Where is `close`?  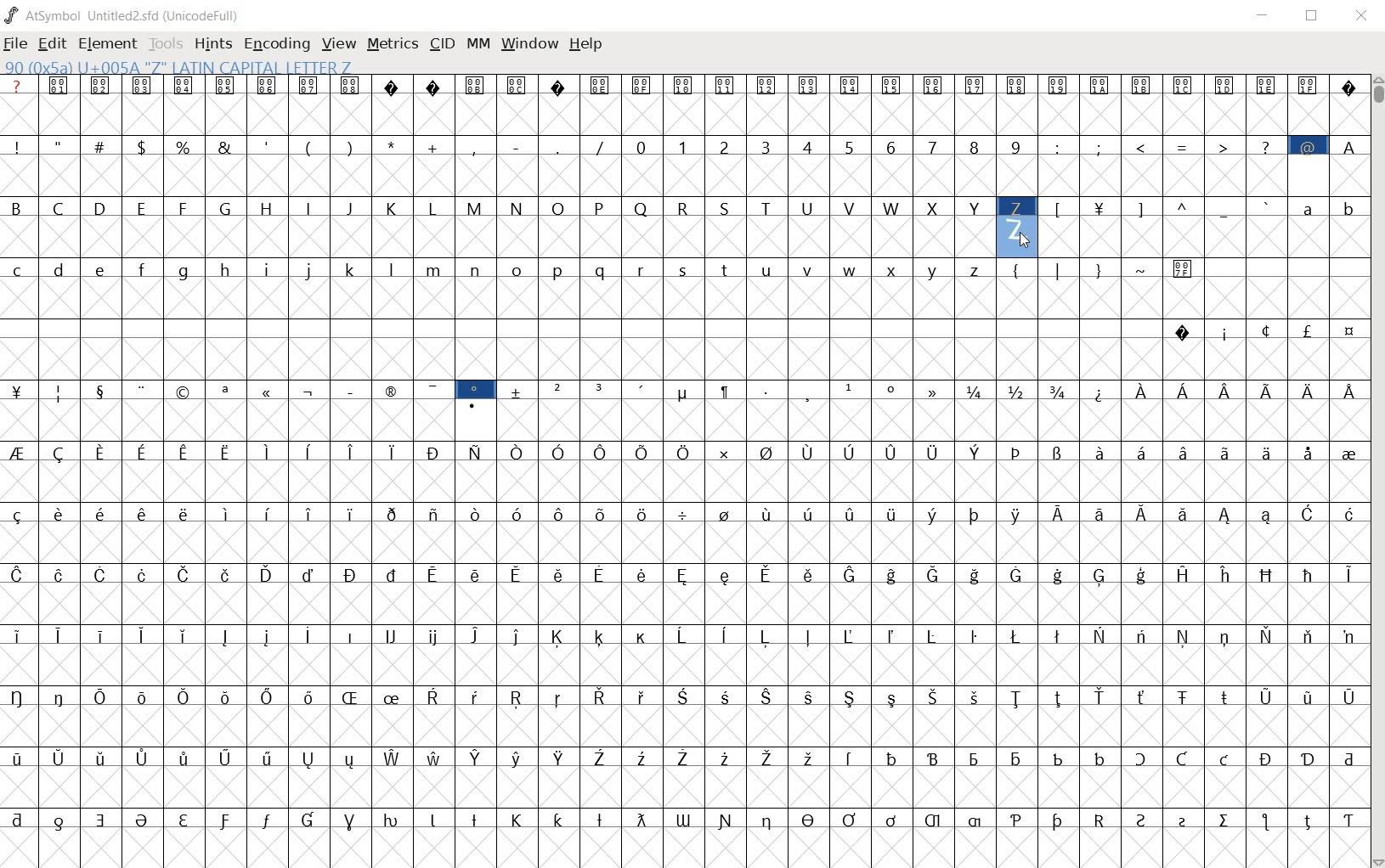
close is located at coordinates (1362, 14).